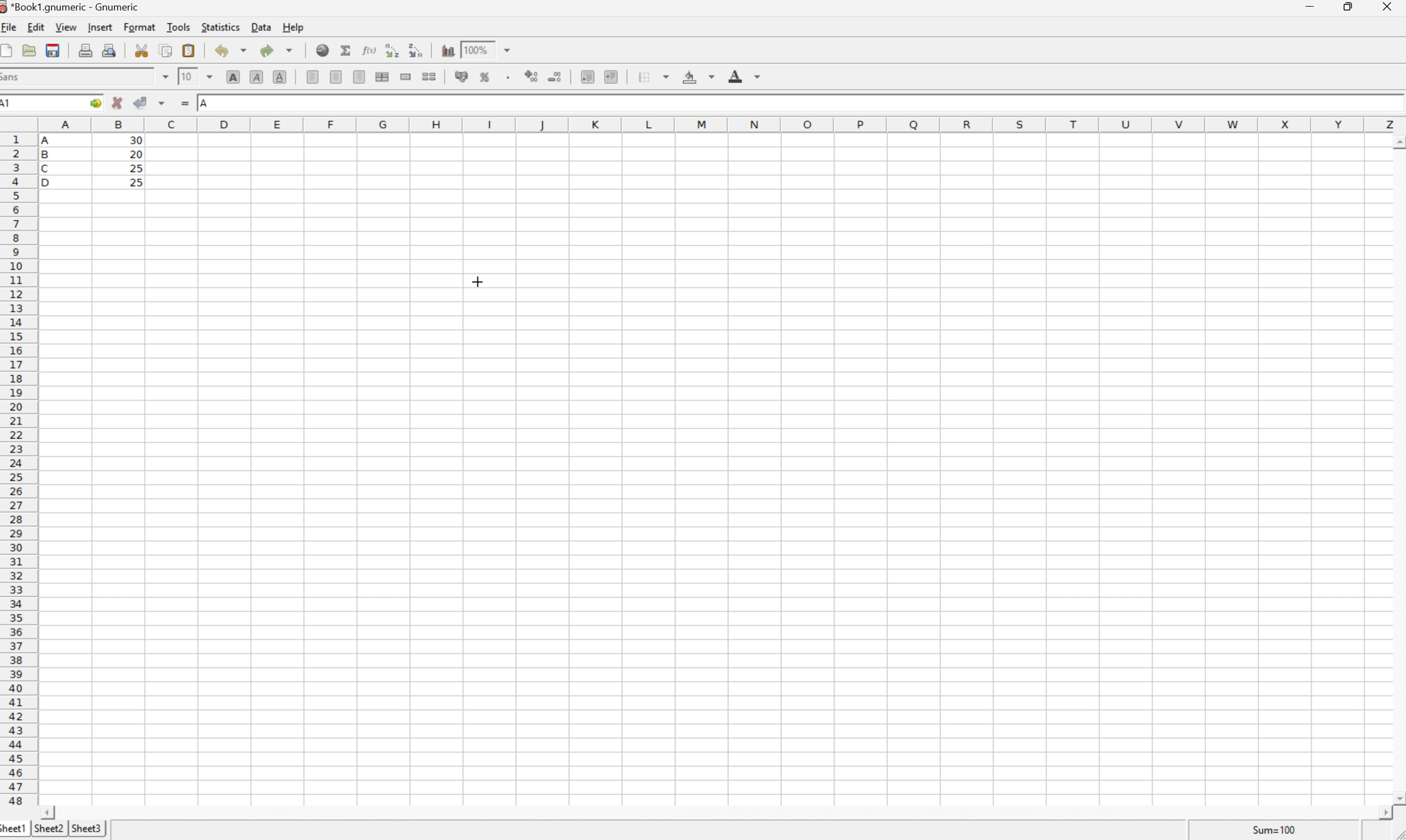 Image resolution: width=1406 pixels, height=840 pixels. Describe the element at coordinates (587, 78) in the screenshot. I see `Decrease indent, and align the contents to the left` at that location.